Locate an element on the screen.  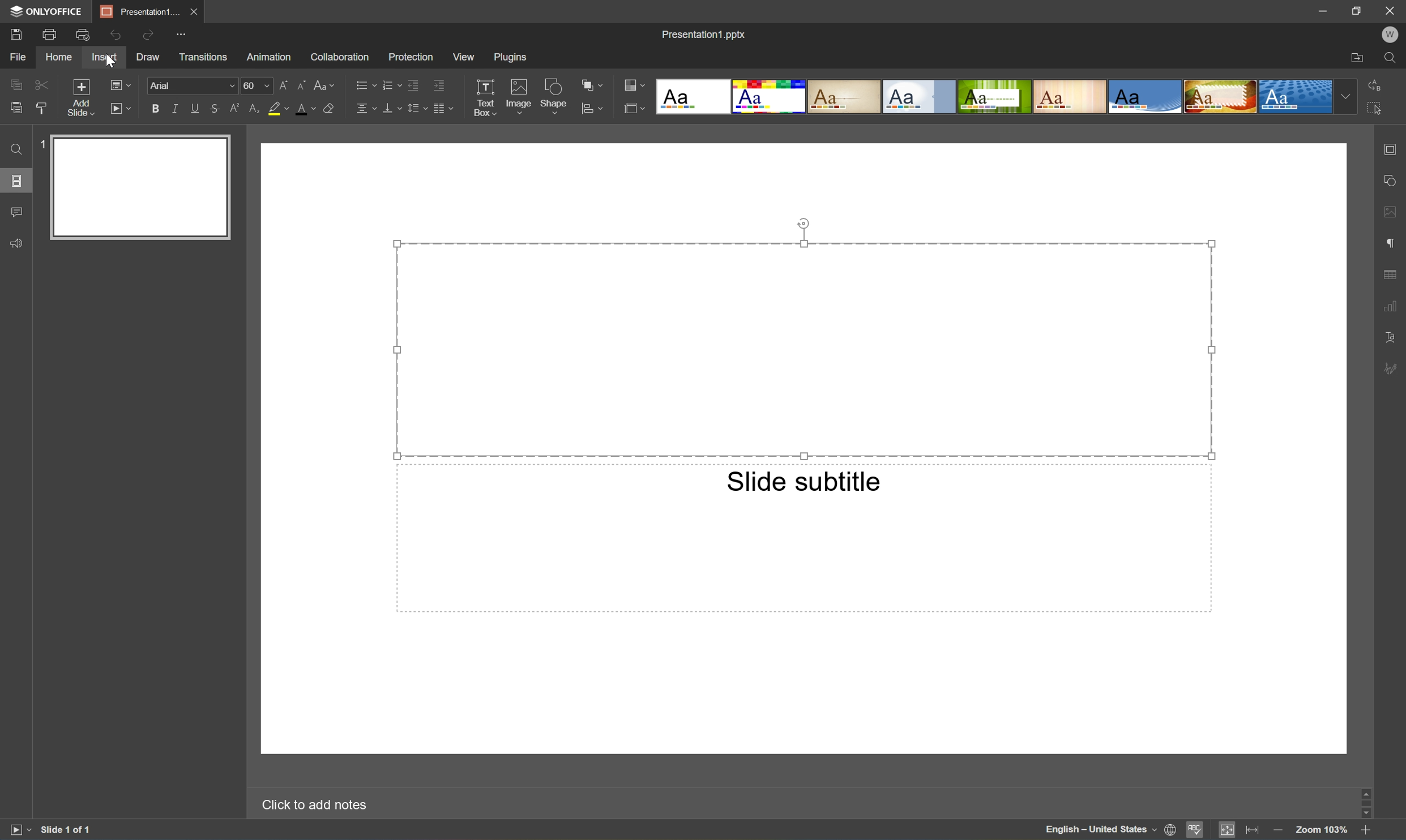
Collaboration is located at coordinates (339, 57).